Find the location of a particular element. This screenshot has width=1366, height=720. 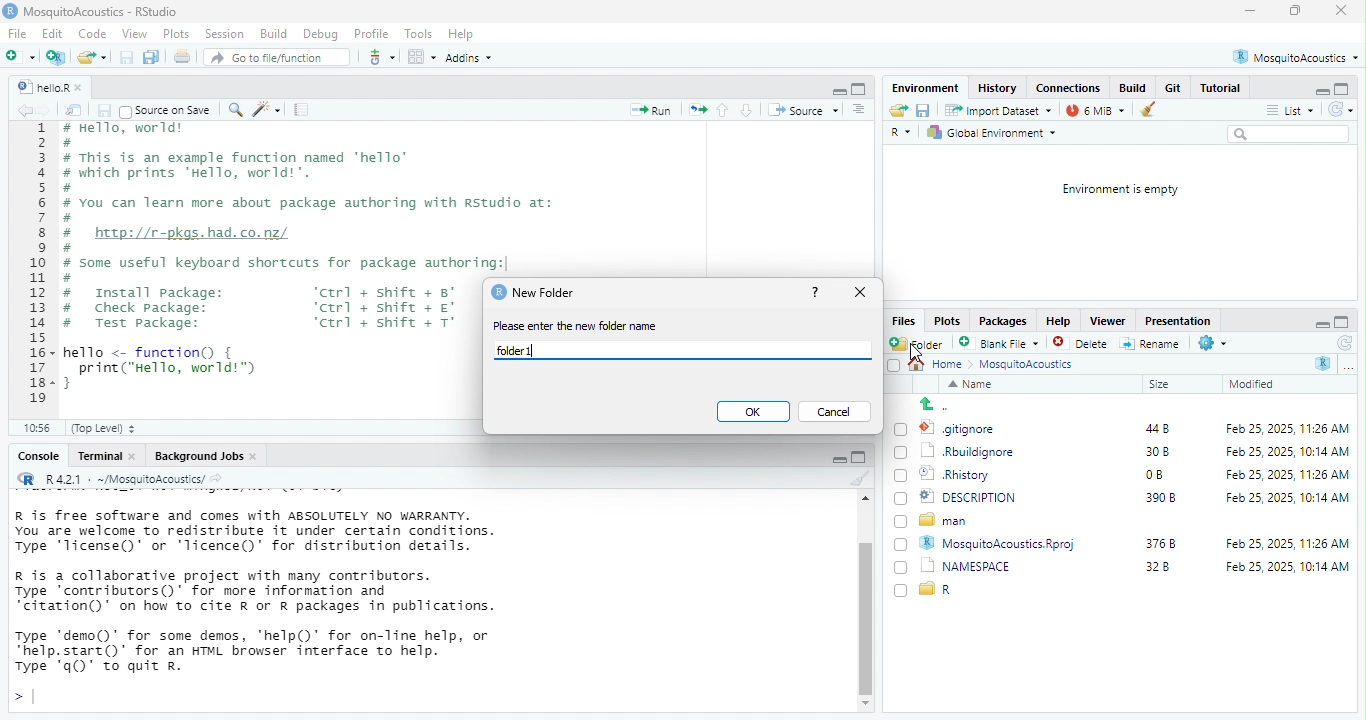

‘Background Jobs is located at coordinates (198, 456).